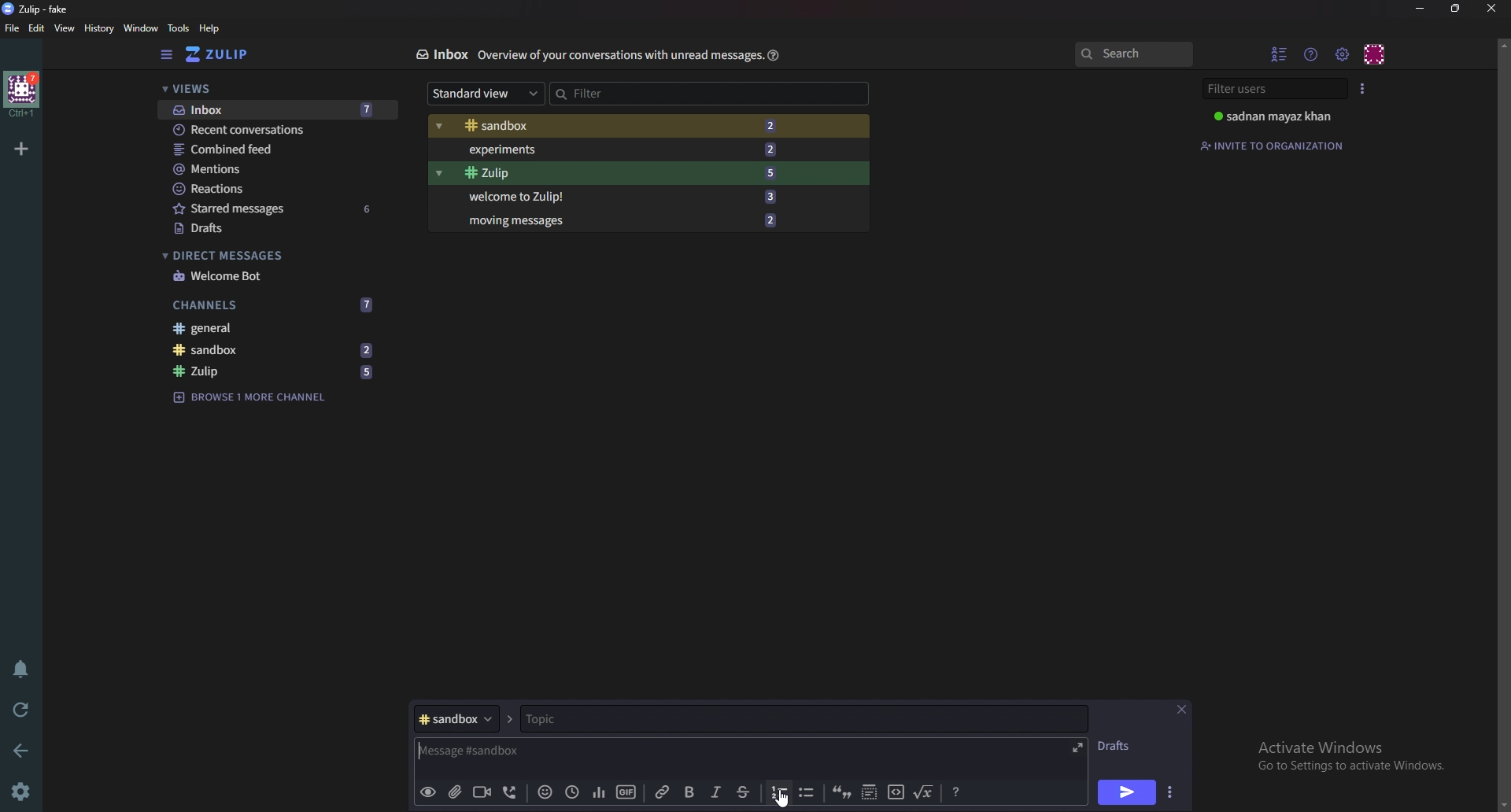 The image size is (1511, 812). What do you see at coordinates (1133, 55) in the screenshot?
I see `search` at bounding box center [1133, 55].